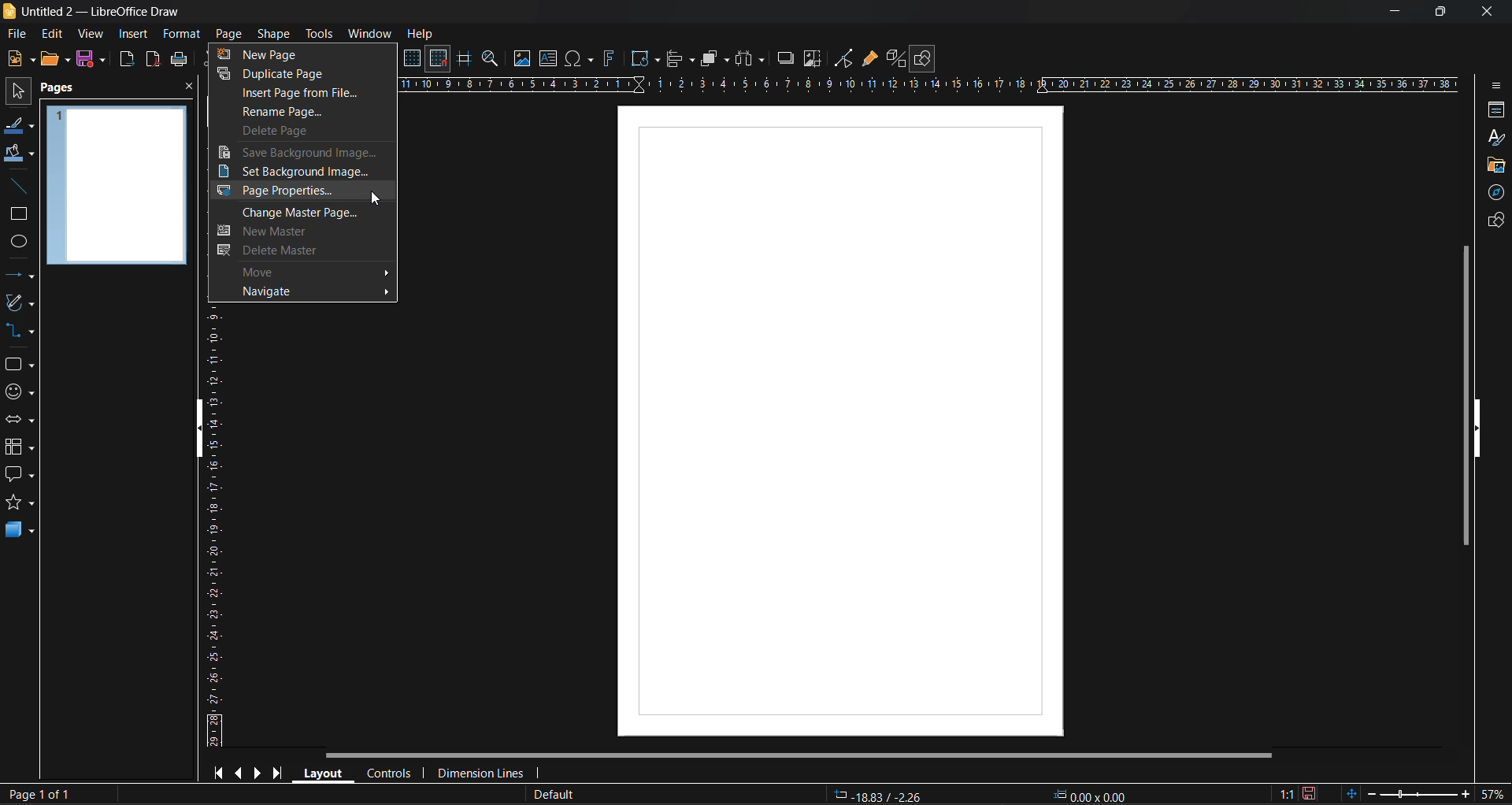  What do you see at coordinates (17, 503) in the screenshot?
I see `stars and banners` at bounding box center [17, 503].